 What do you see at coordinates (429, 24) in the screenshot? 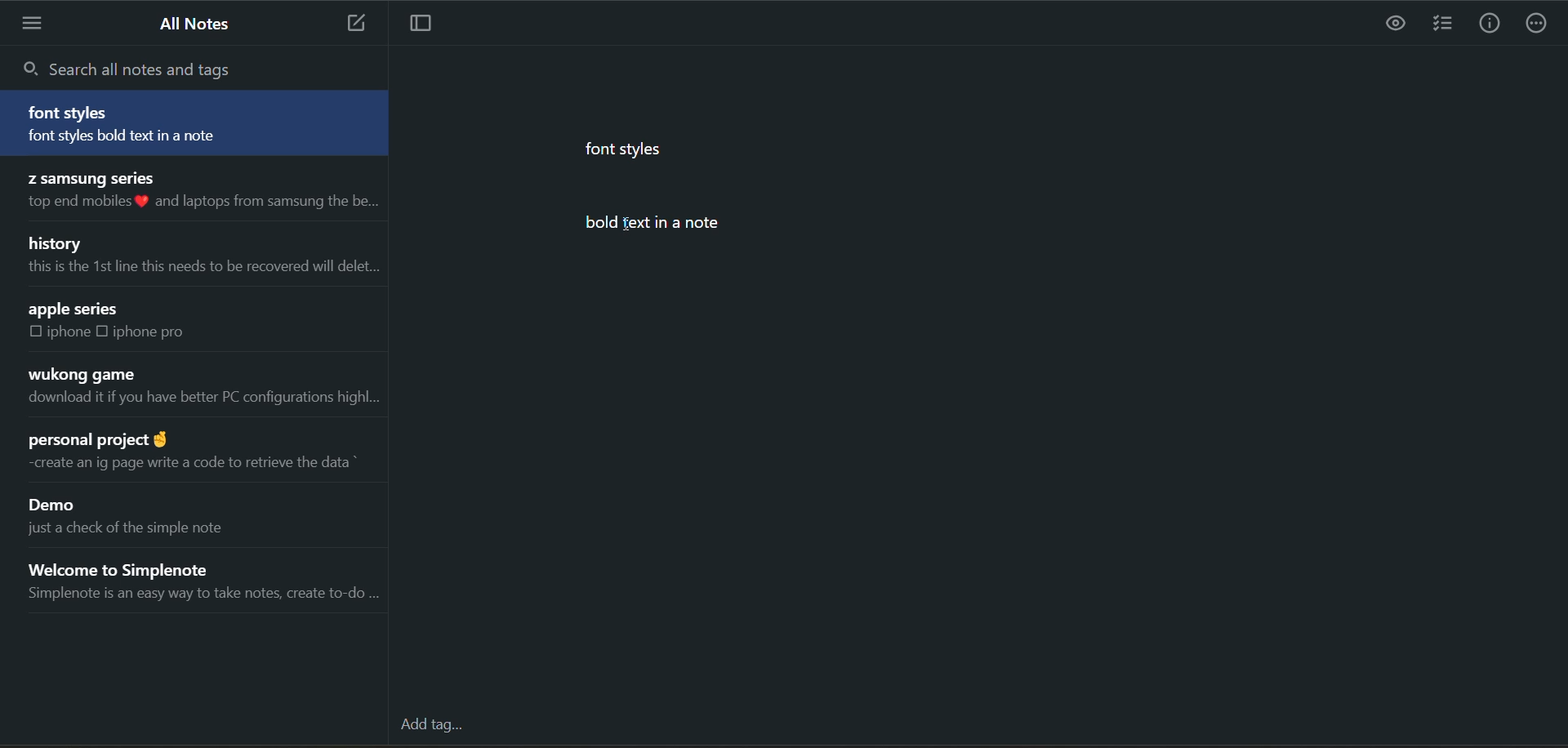
I see `toggle focus mode` at bounding box center [429, 24].